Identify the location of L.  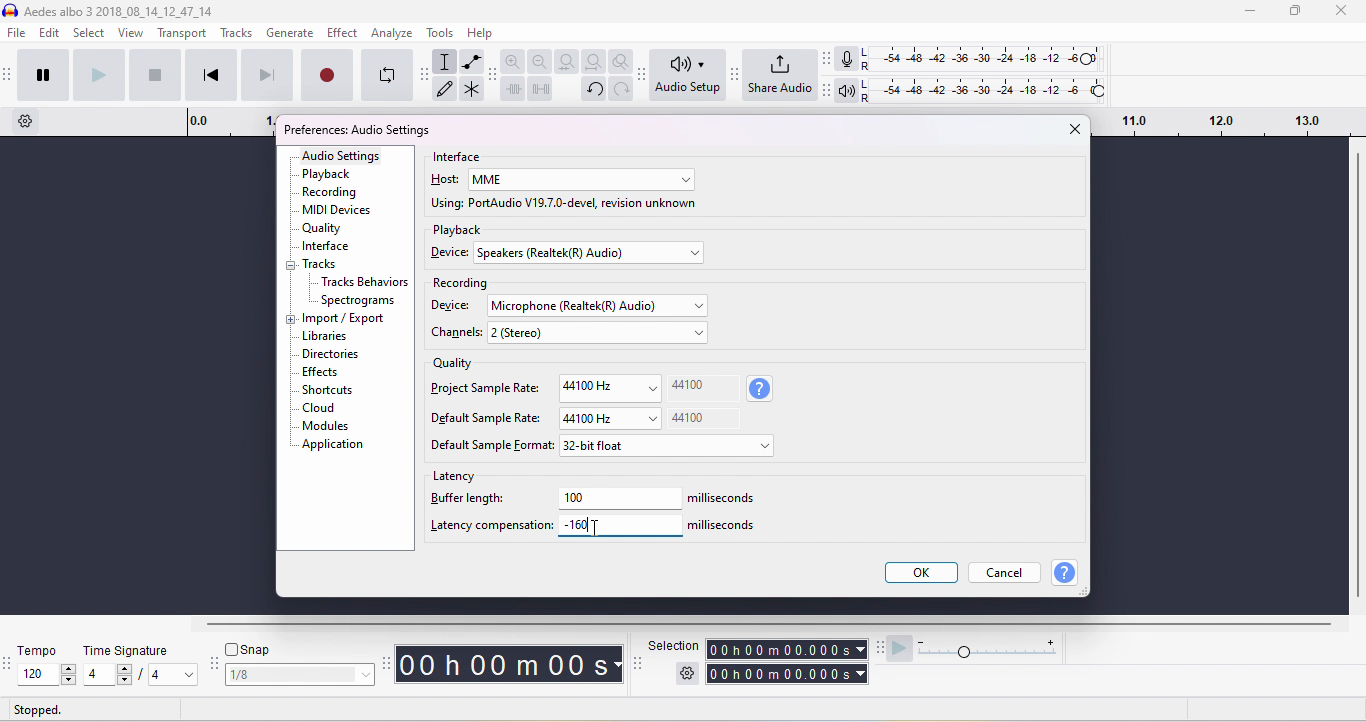
(869, 85).